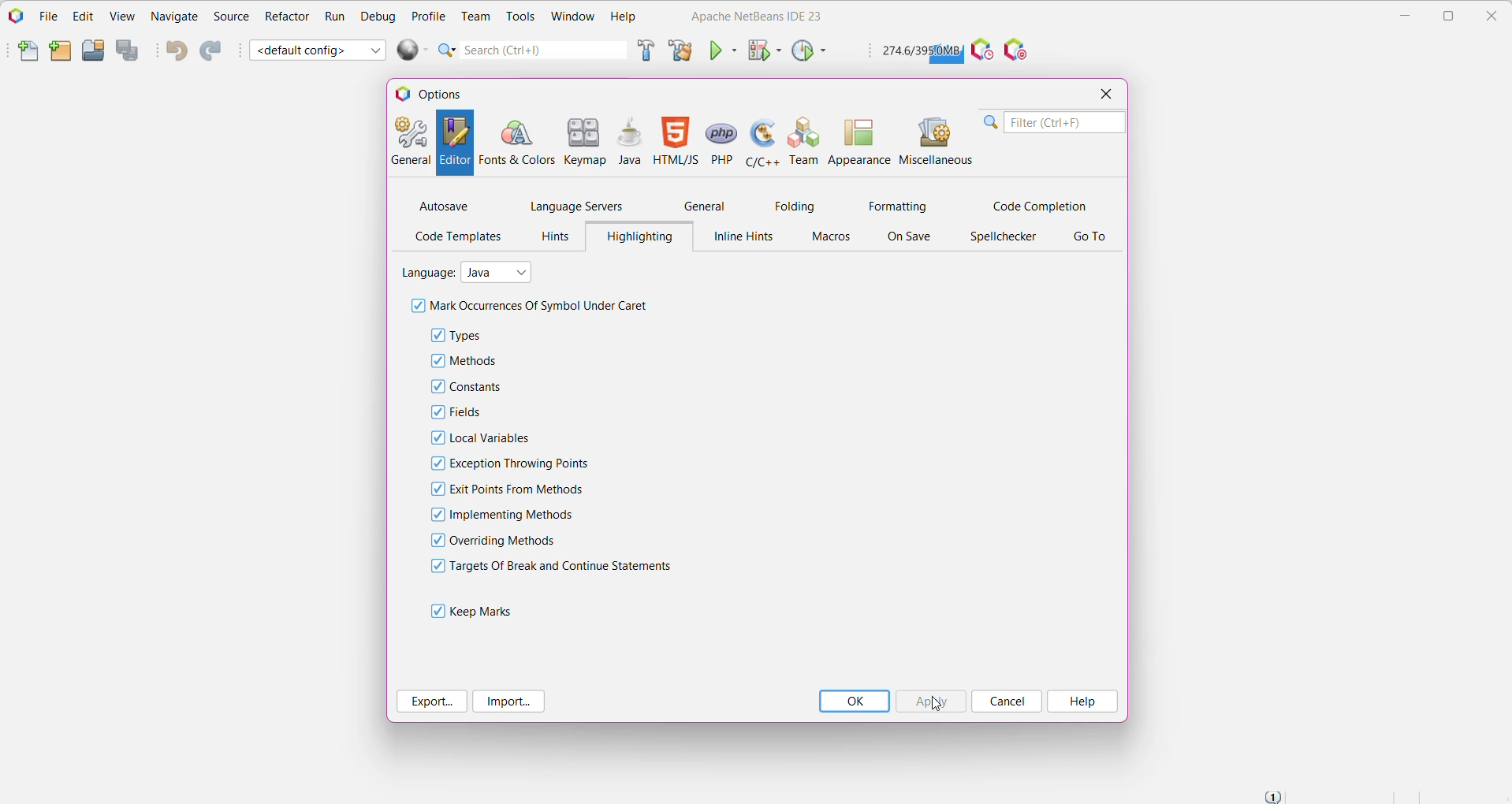 The image size is (1512, 804). What do you see at coordinates (762, 143) in the screenshot?
I see `C/C++` at bounding box center [762, 143].